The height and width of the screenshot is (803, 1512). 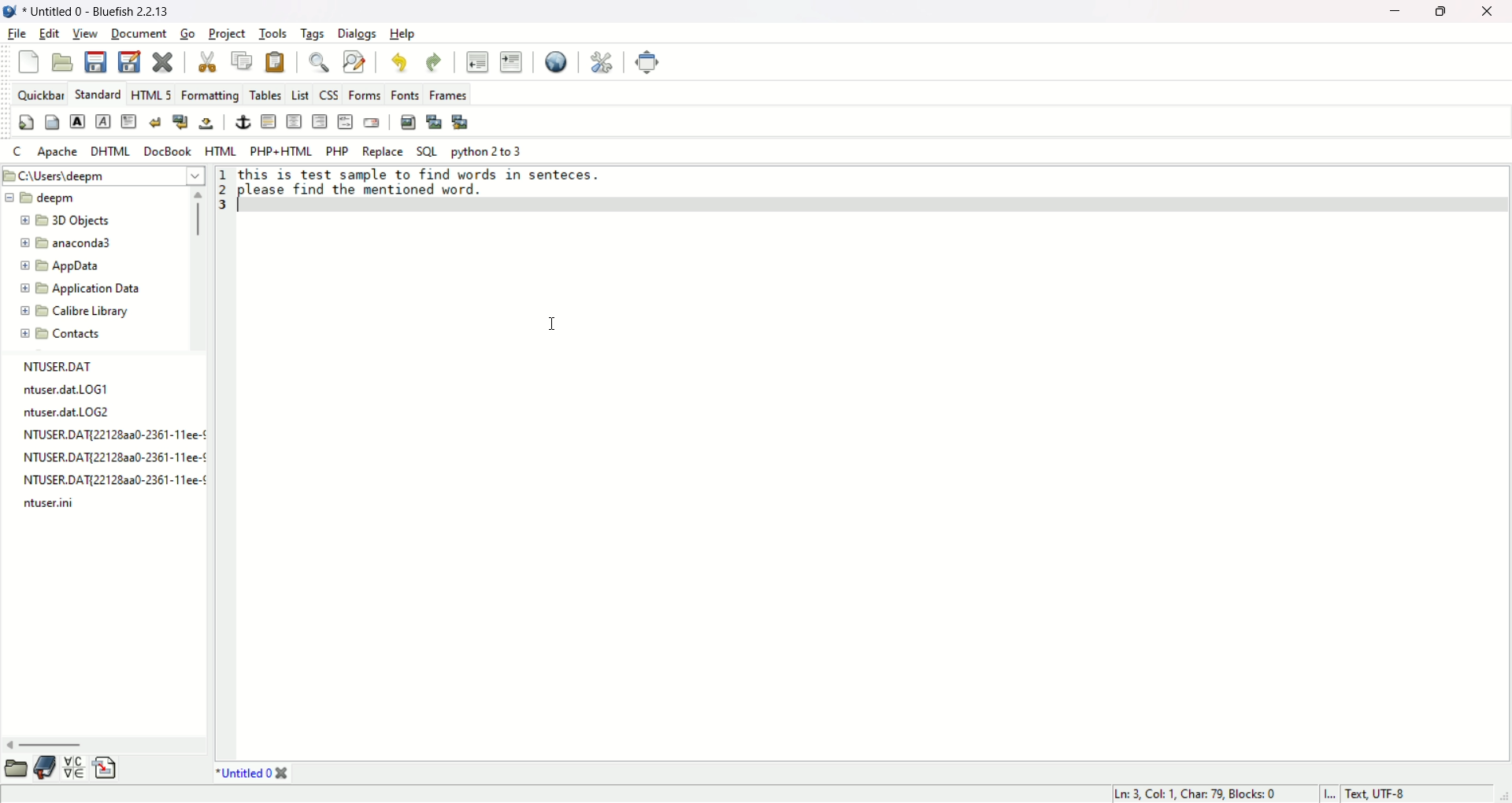 What do you see at coordinates (336, 151) in the screenshot?
I see `PHP` at bounding box center [336, 151].